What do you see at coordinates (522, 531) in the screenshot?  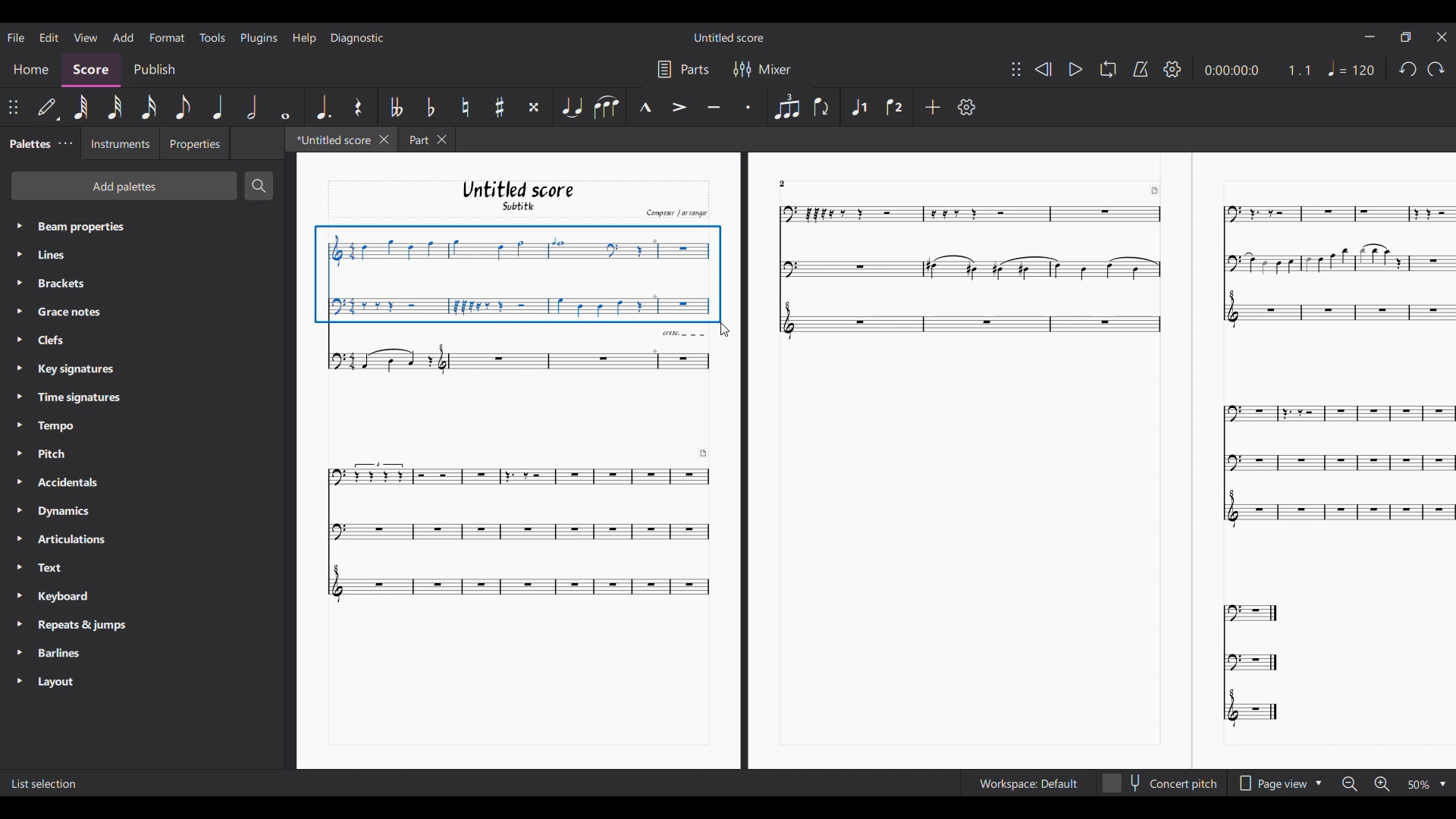 I see `` at bounding box center [522, 531].